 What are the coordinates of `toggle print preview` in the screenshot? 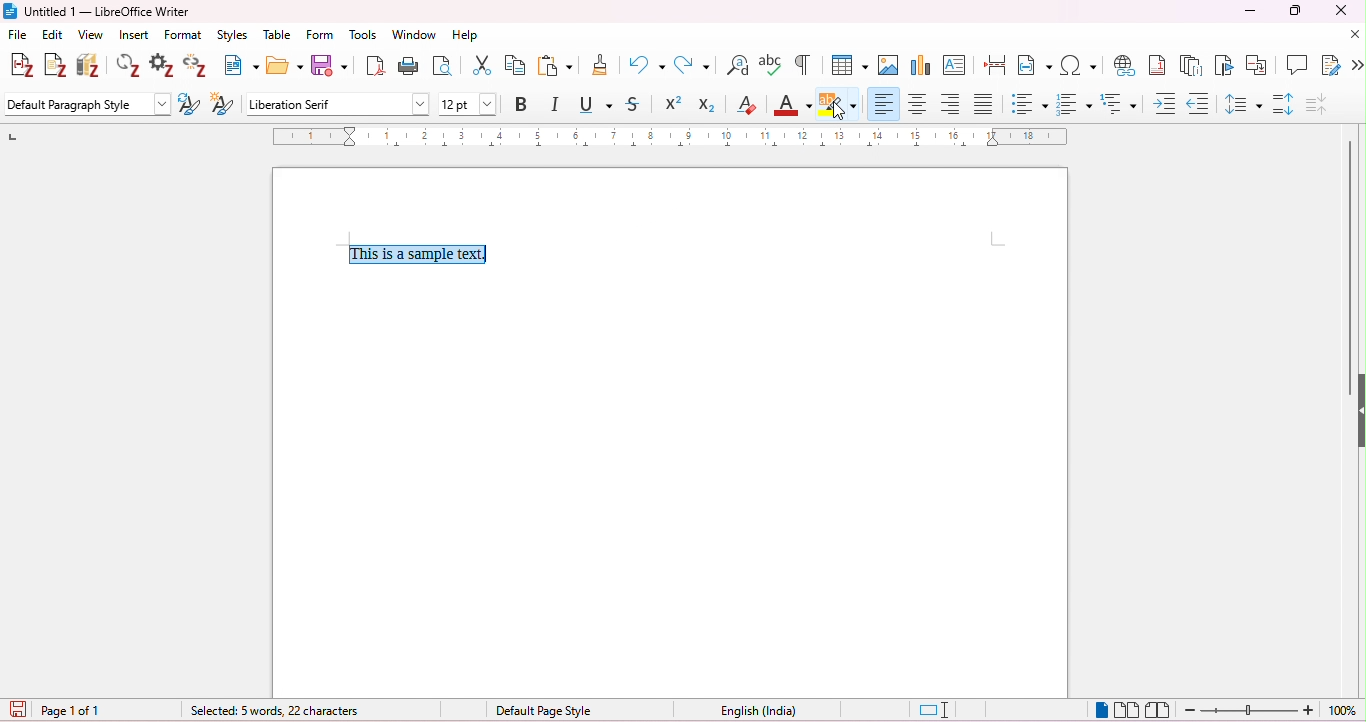 It's located at (443, 67).